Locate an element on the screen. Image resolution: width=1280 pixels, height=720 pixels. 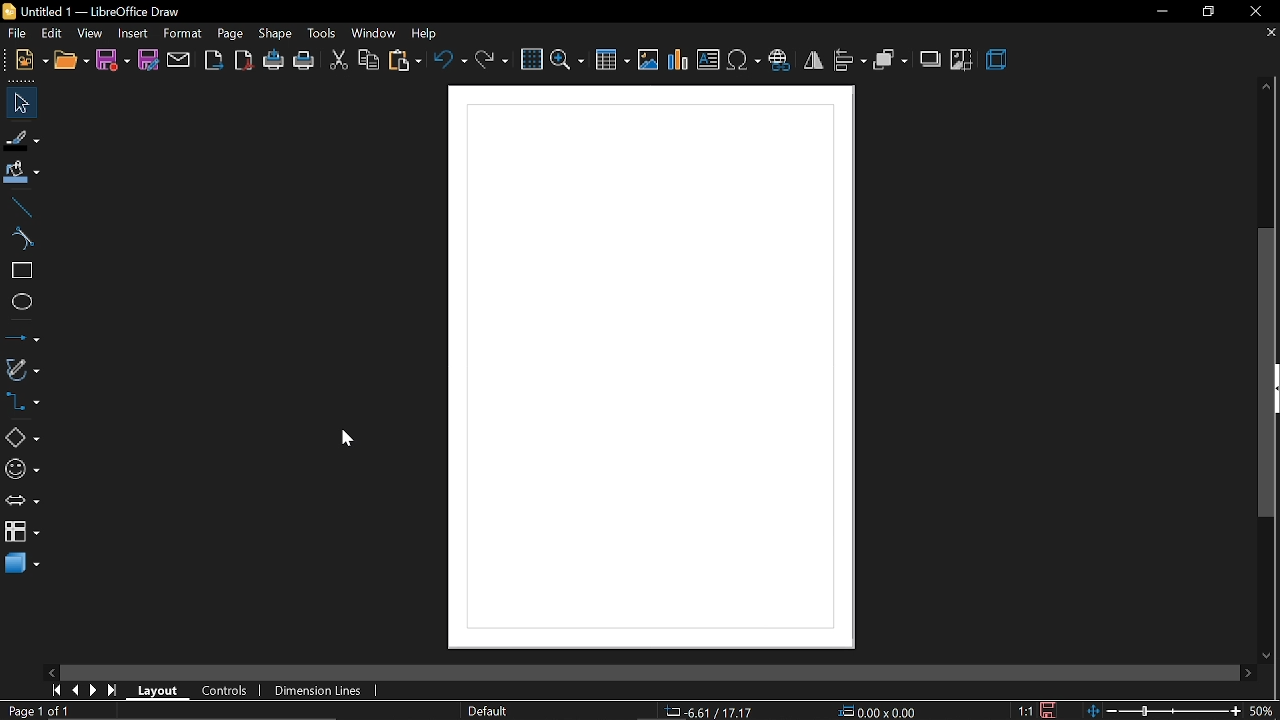
insert text is located at coordinates (709, 59).